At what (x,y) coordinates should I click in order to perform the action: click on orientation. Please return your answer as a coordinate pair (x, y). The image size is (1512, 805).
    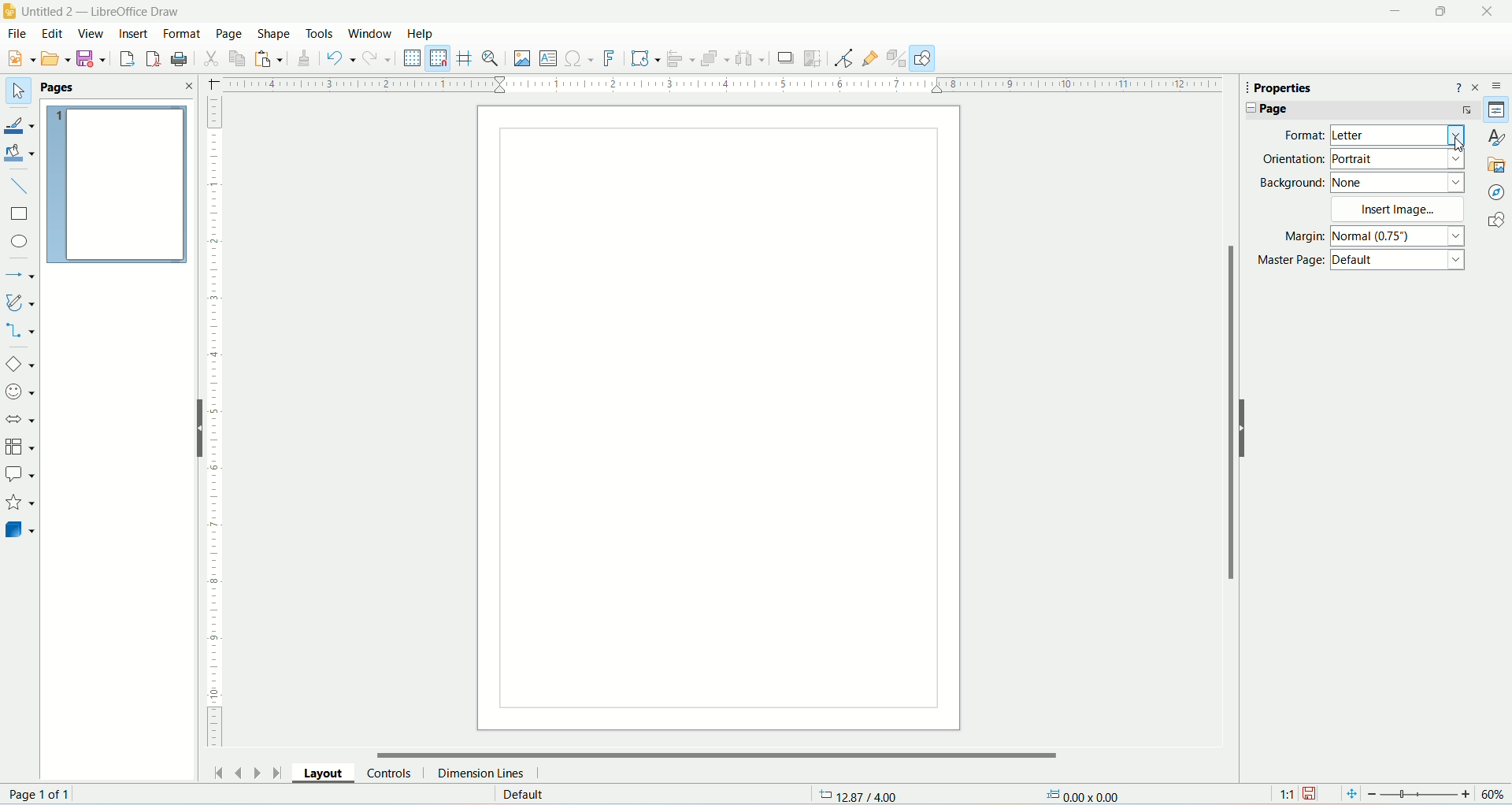
    Looking at the image, I should click on (1363, 158).